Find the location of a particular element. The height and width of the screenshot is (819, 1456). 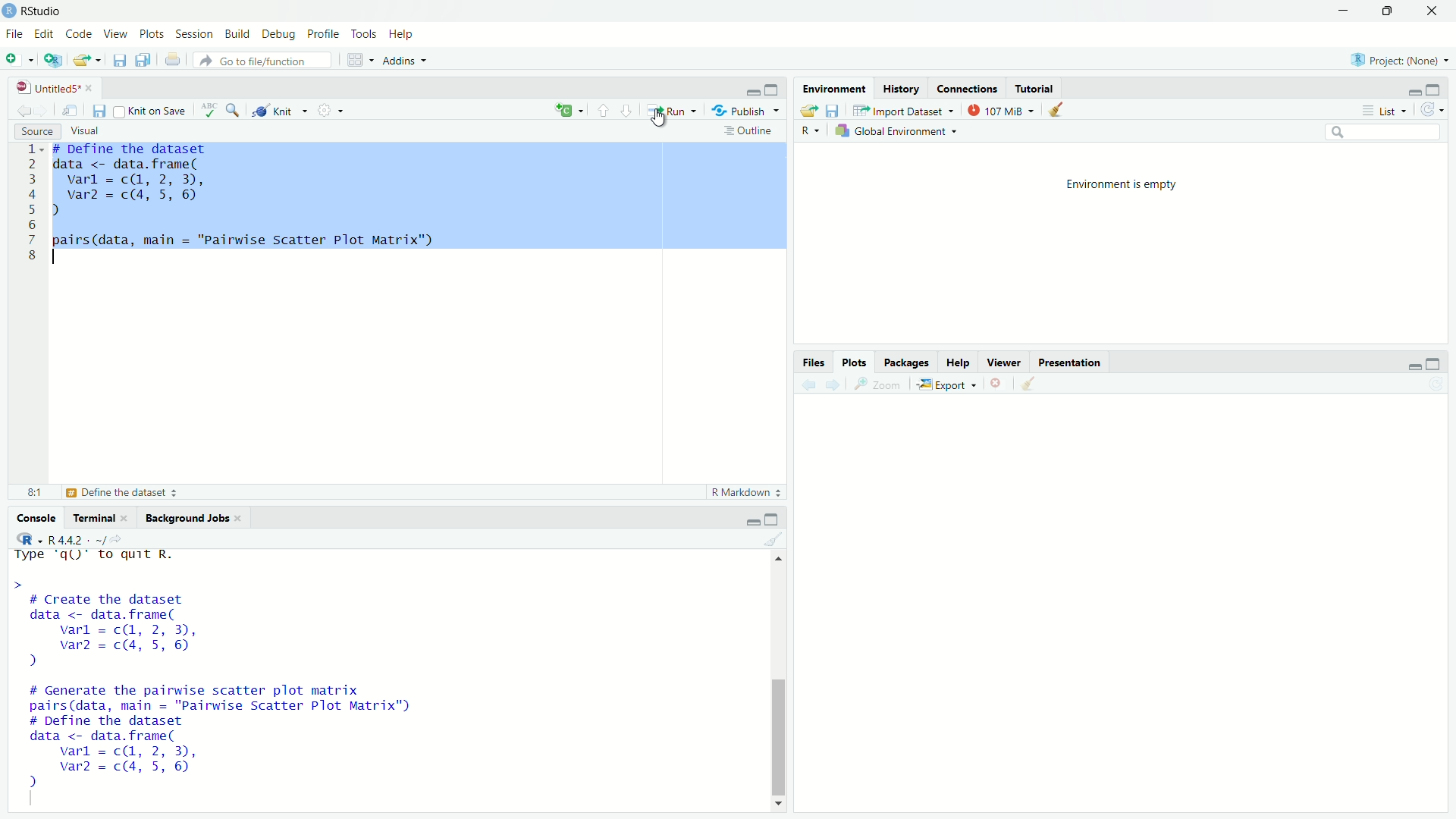

Clear console (Ctrl +L) is located at coordinates (783, 539).